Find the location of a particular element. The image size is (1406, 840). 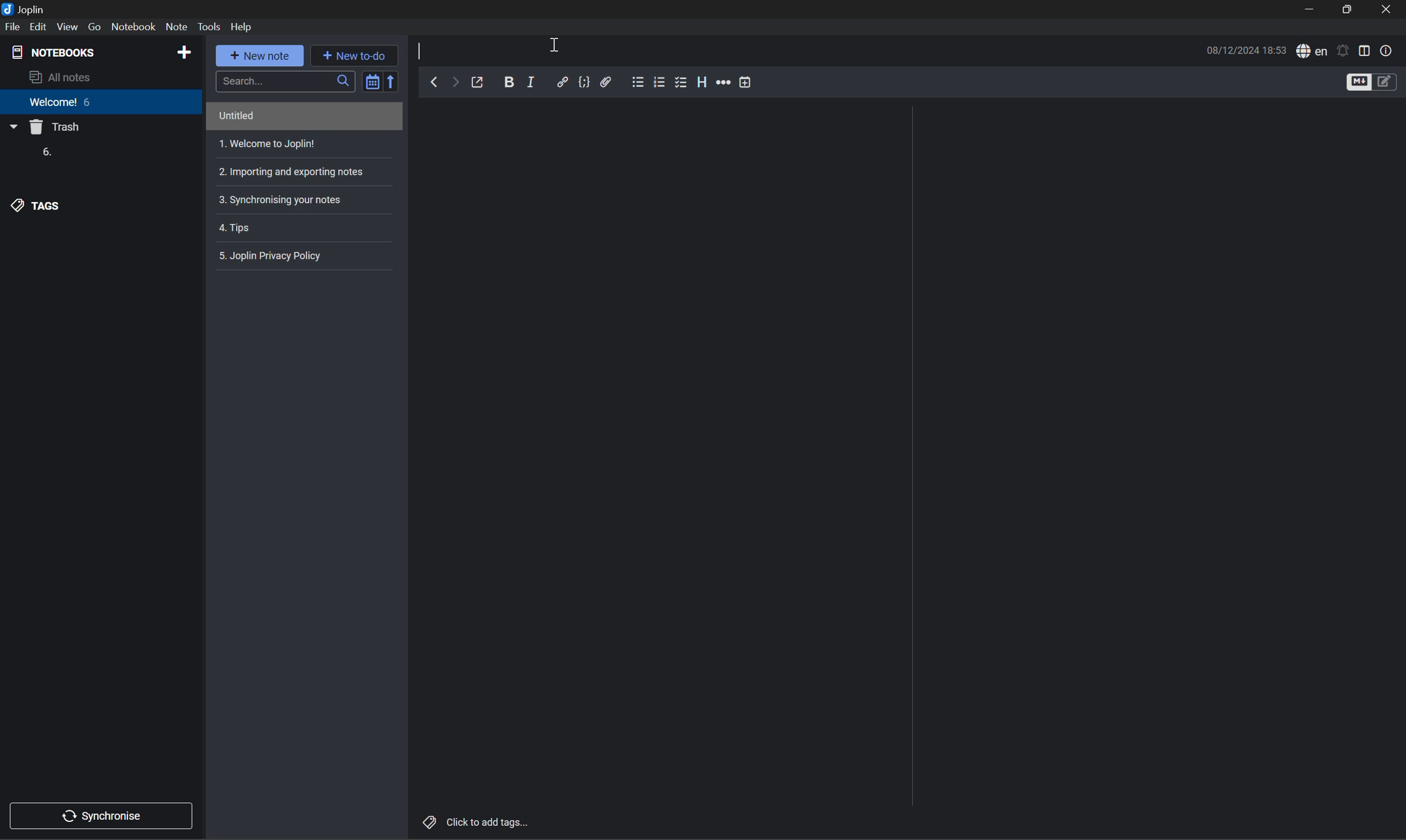

Bullet list is located at coordinates (638, 80).